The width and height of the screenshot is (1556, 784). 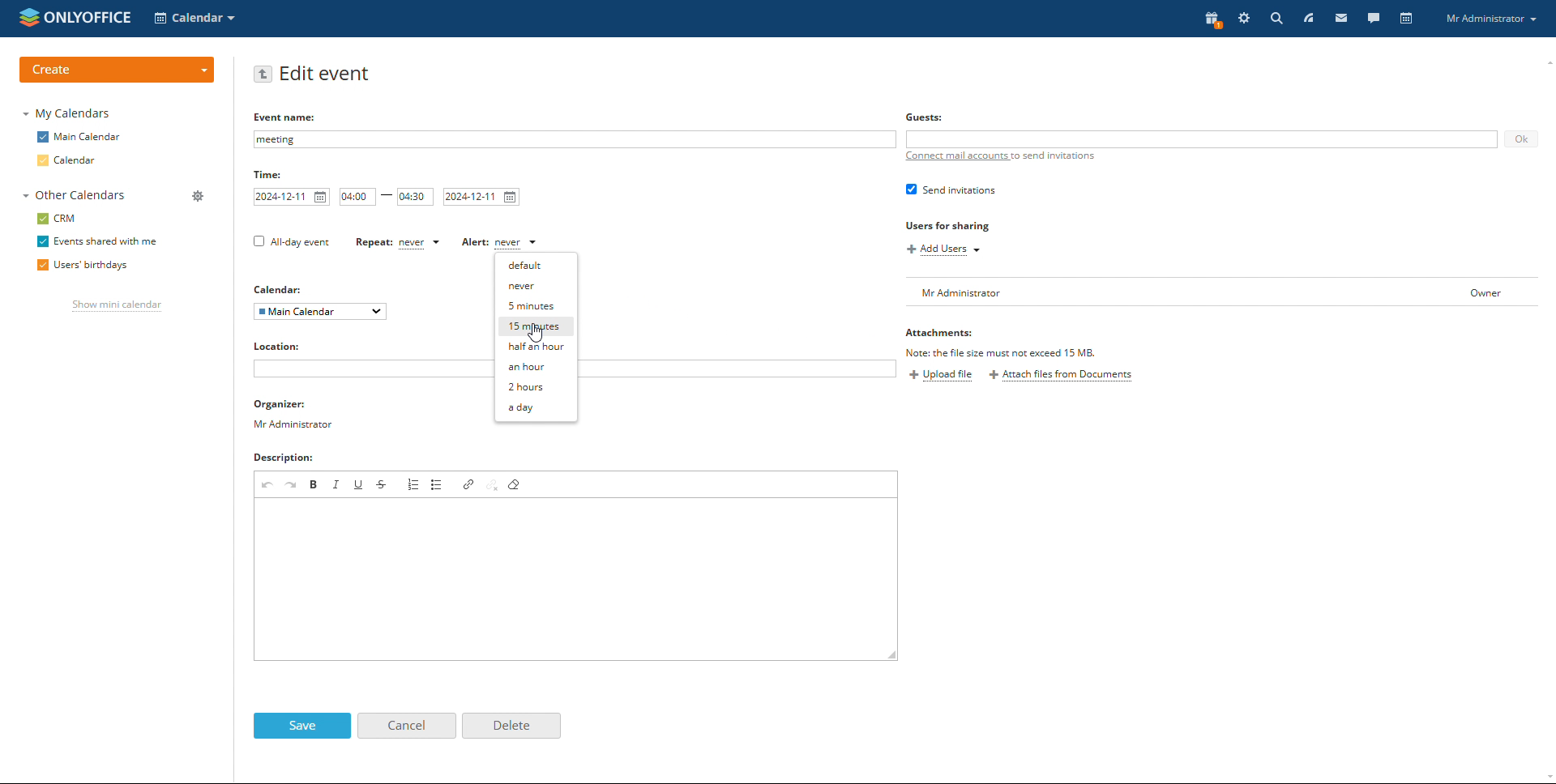 I want to click on create, so click(x=116, y=70).